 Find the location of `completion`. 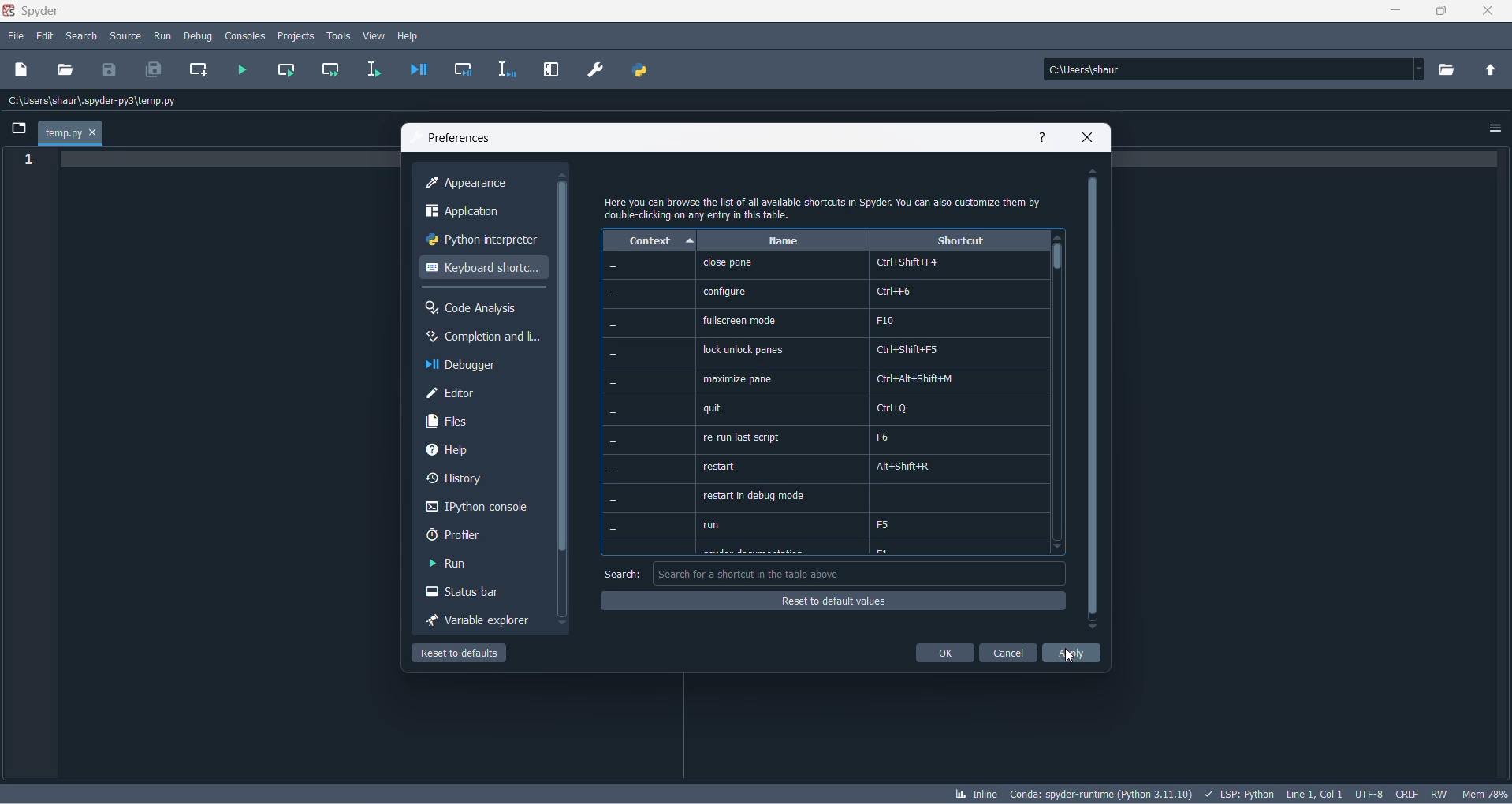

completion is located at coordinates (481, 338).